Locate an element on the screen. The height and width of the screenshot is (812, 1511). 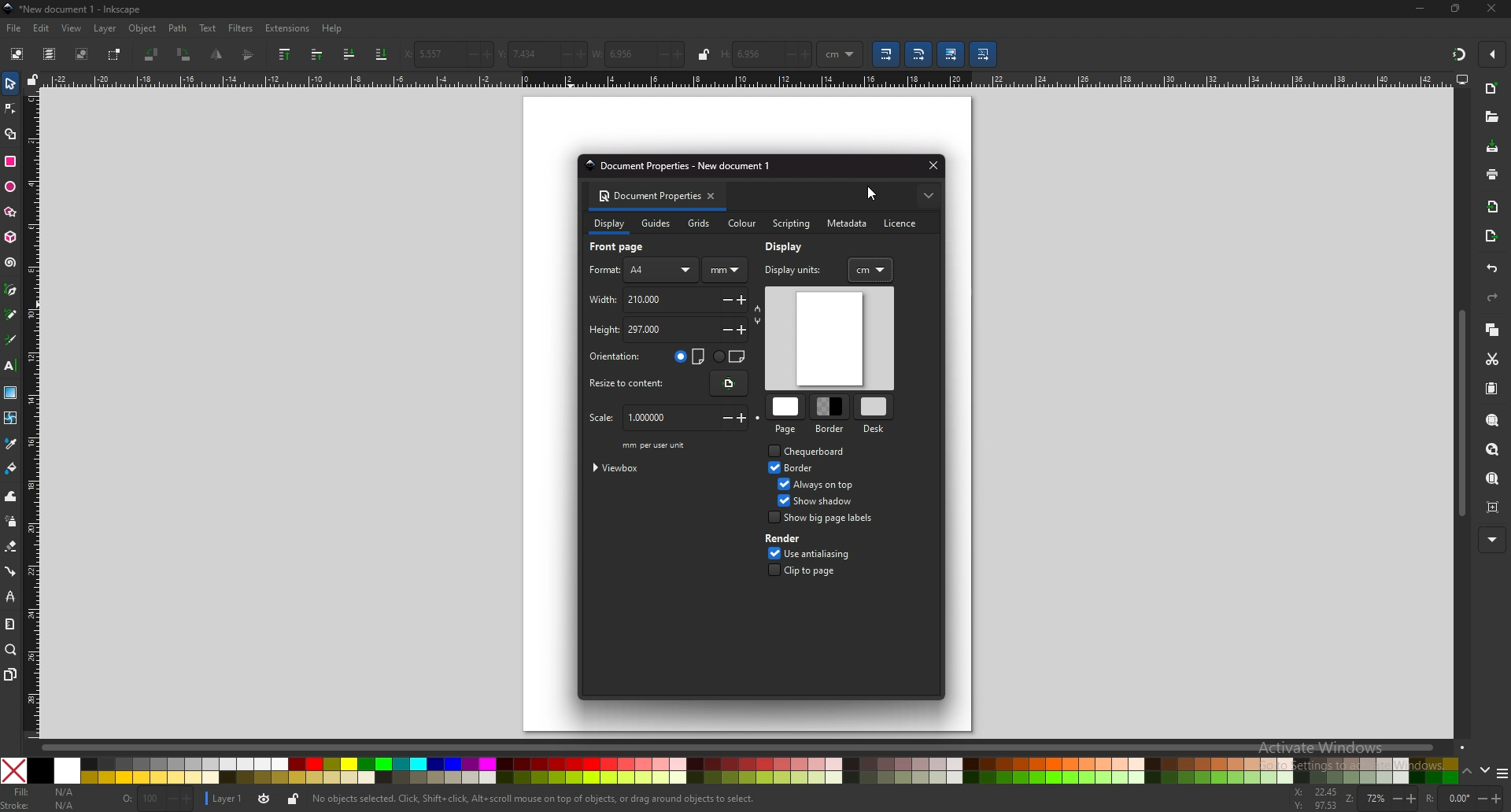
file is located at coordinates (15, 29).